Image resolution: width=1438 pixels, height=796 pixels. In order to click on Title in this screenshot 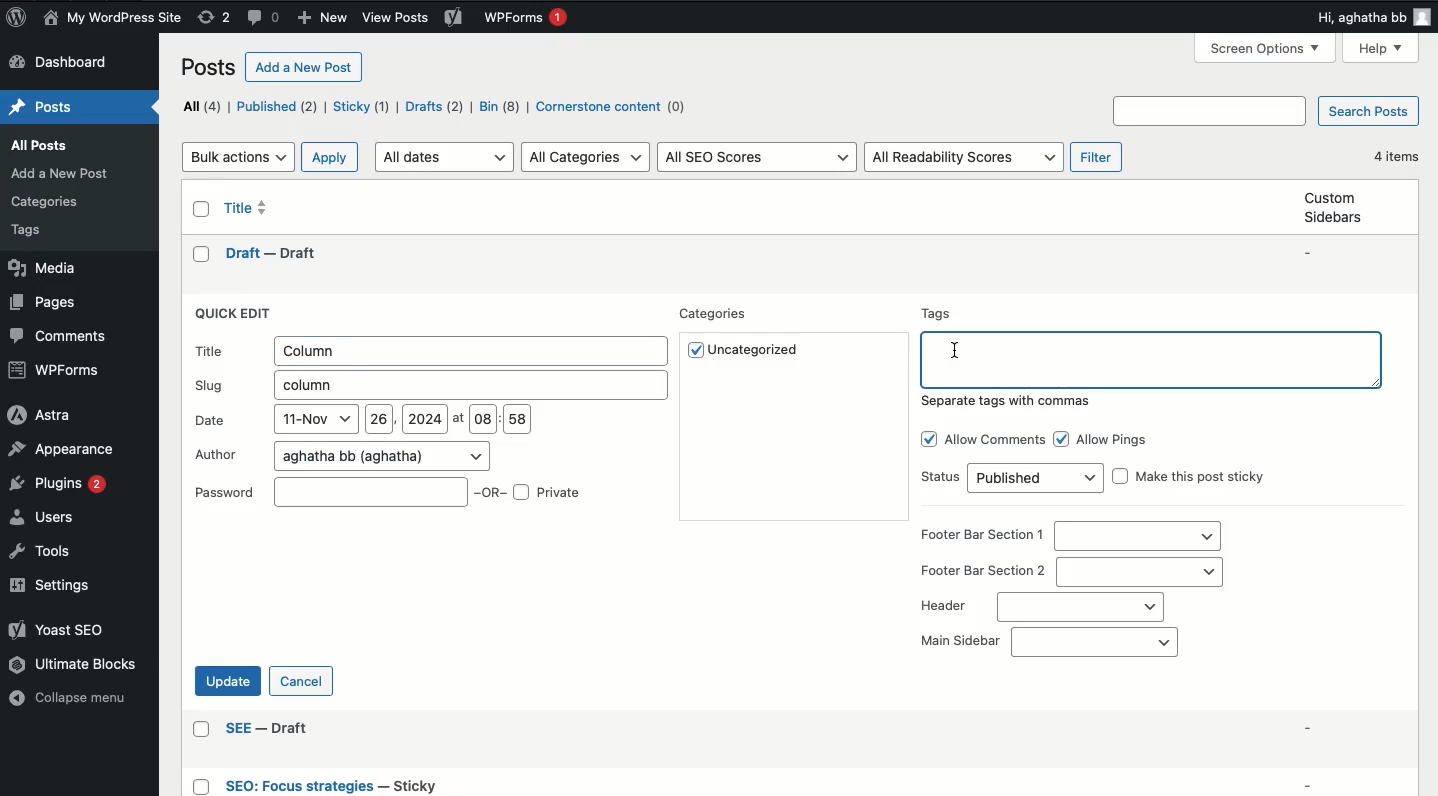, I will do `click(250, 207)`.